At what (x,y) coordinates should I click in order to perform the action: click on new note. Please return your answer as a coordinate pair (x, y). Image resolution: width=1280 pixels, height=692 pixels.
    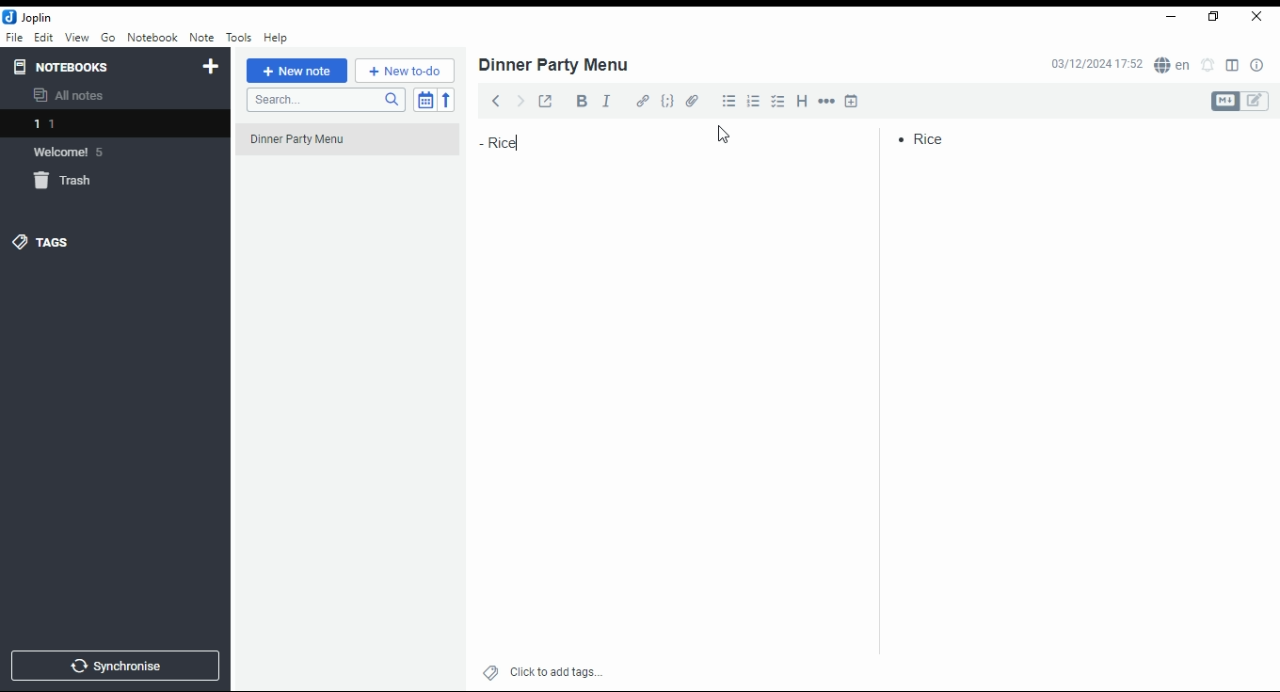
    Looking at the image, I should click on (296, 71).